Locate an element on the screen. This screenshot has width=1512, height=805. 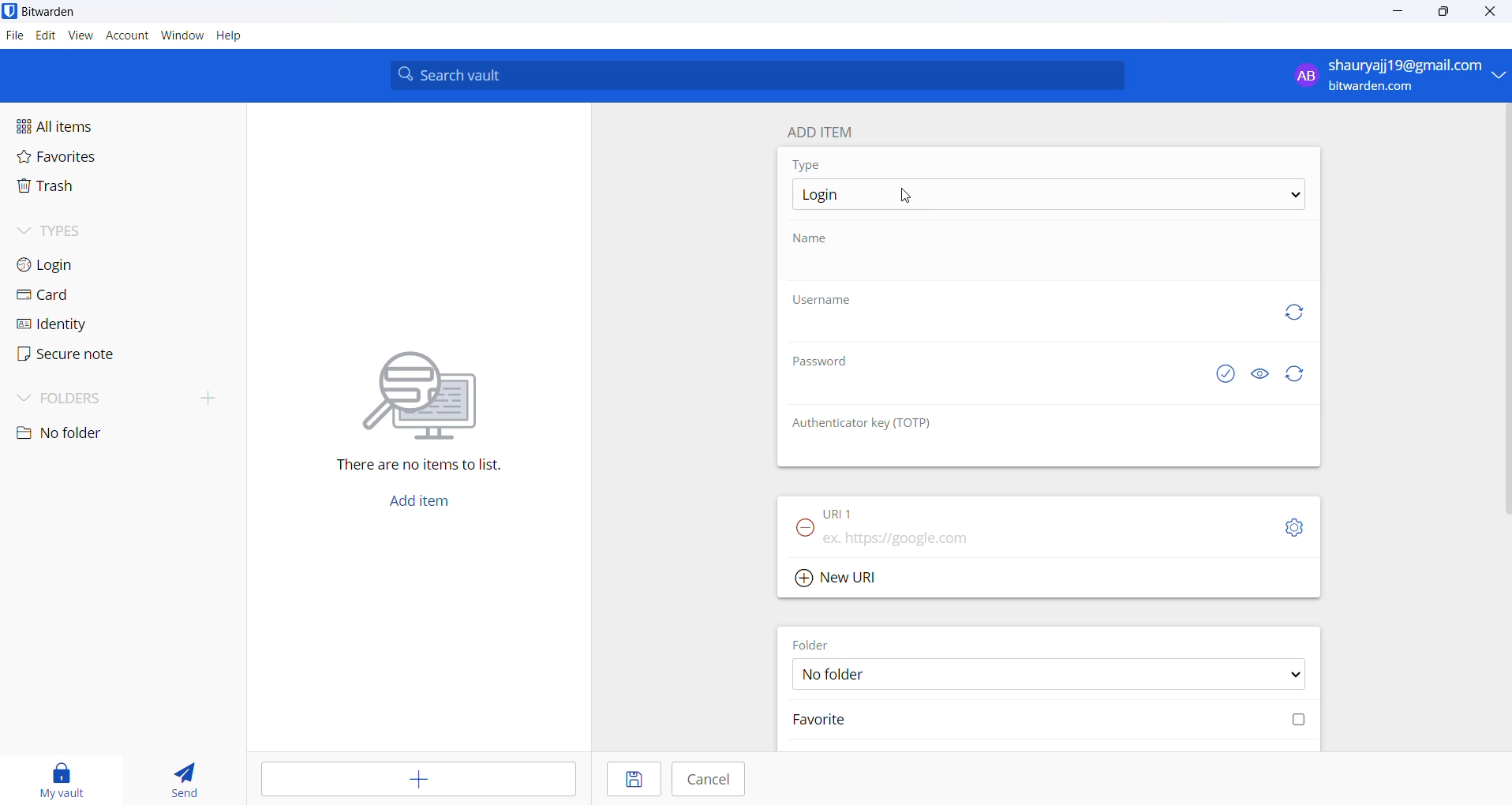
cancel is located at coordinates (713, 781).